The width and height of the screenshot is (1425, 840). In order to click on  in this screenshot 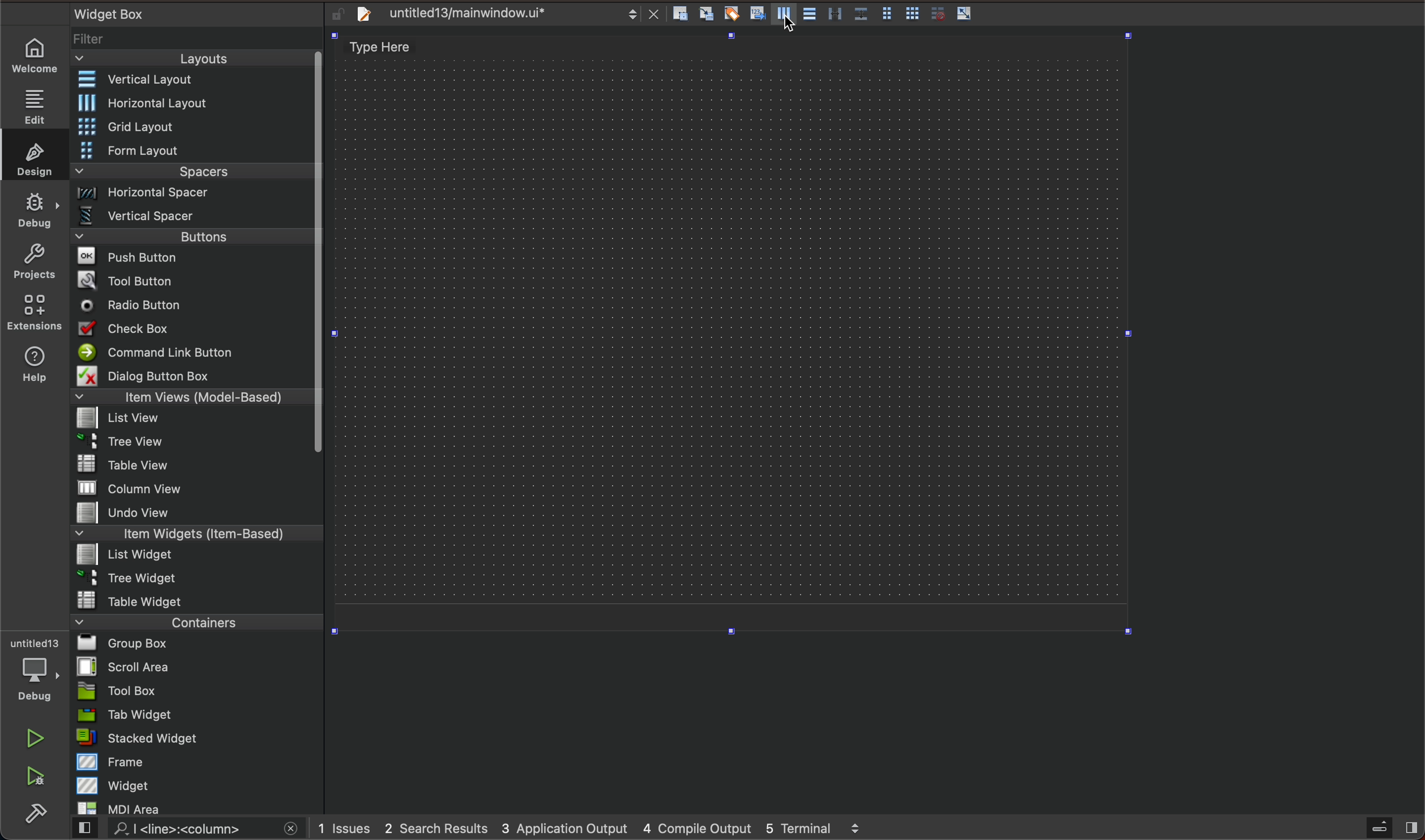, I will do `click(707, 13)`.